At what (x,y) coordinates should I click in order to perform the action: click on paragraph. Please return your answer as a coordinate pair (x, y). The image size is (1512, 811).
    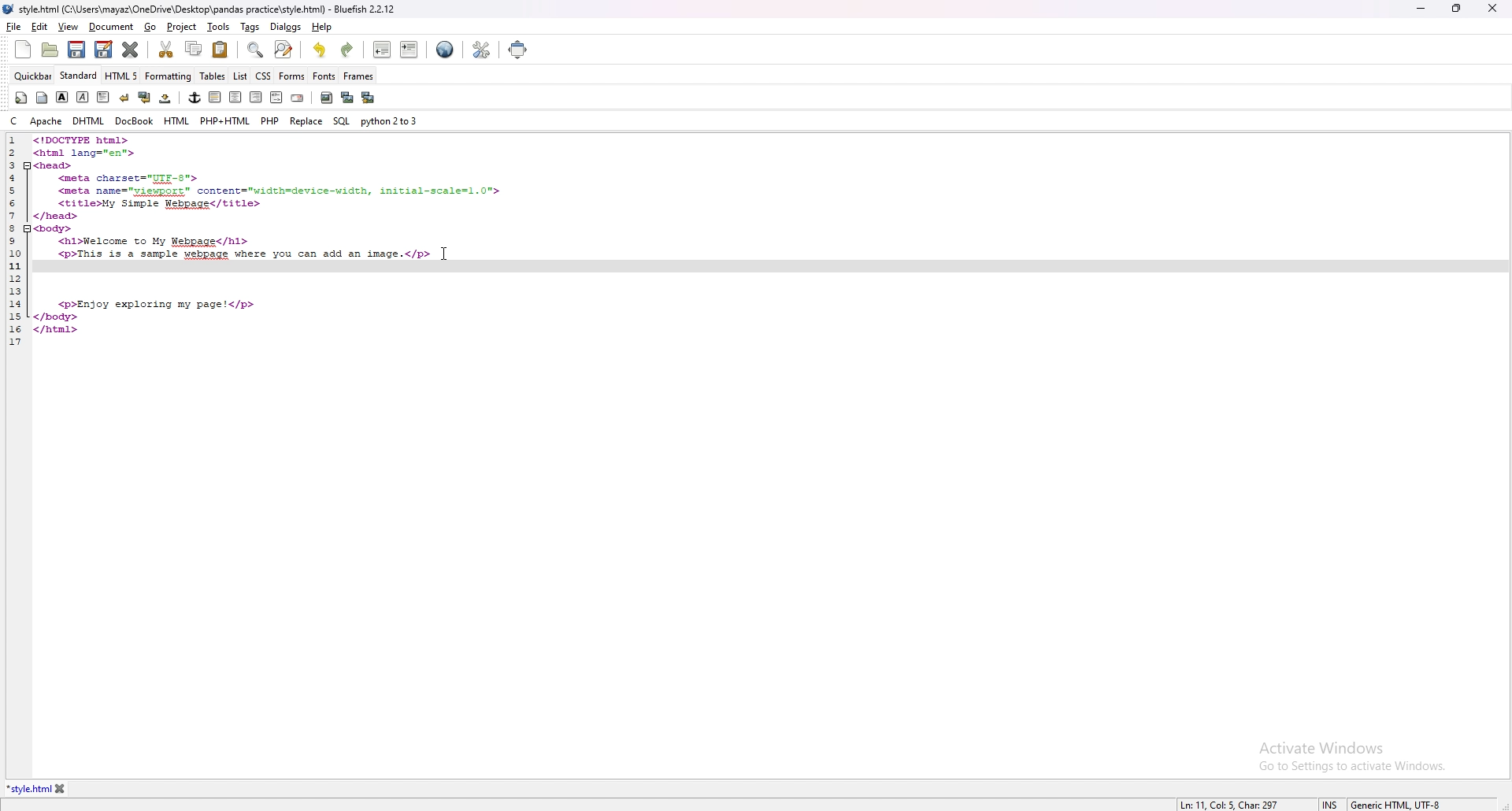
    Looking at the image, I should click on (103, 97).